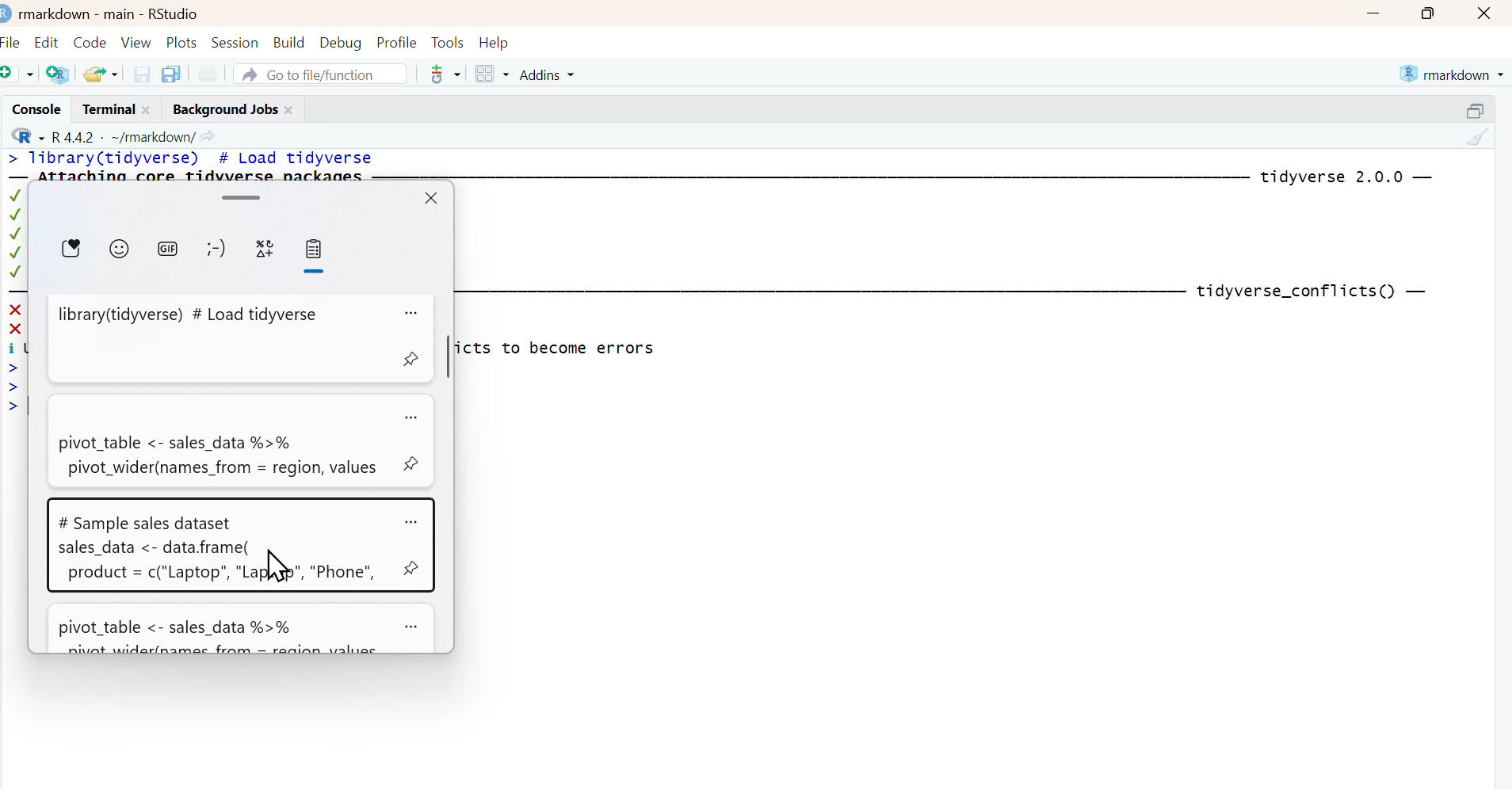 The image size is (1512, 789). What do you see at coordinates (74, 135) in the screenshot?
I see `R 4.4.2` at bounding box center [74, 135].